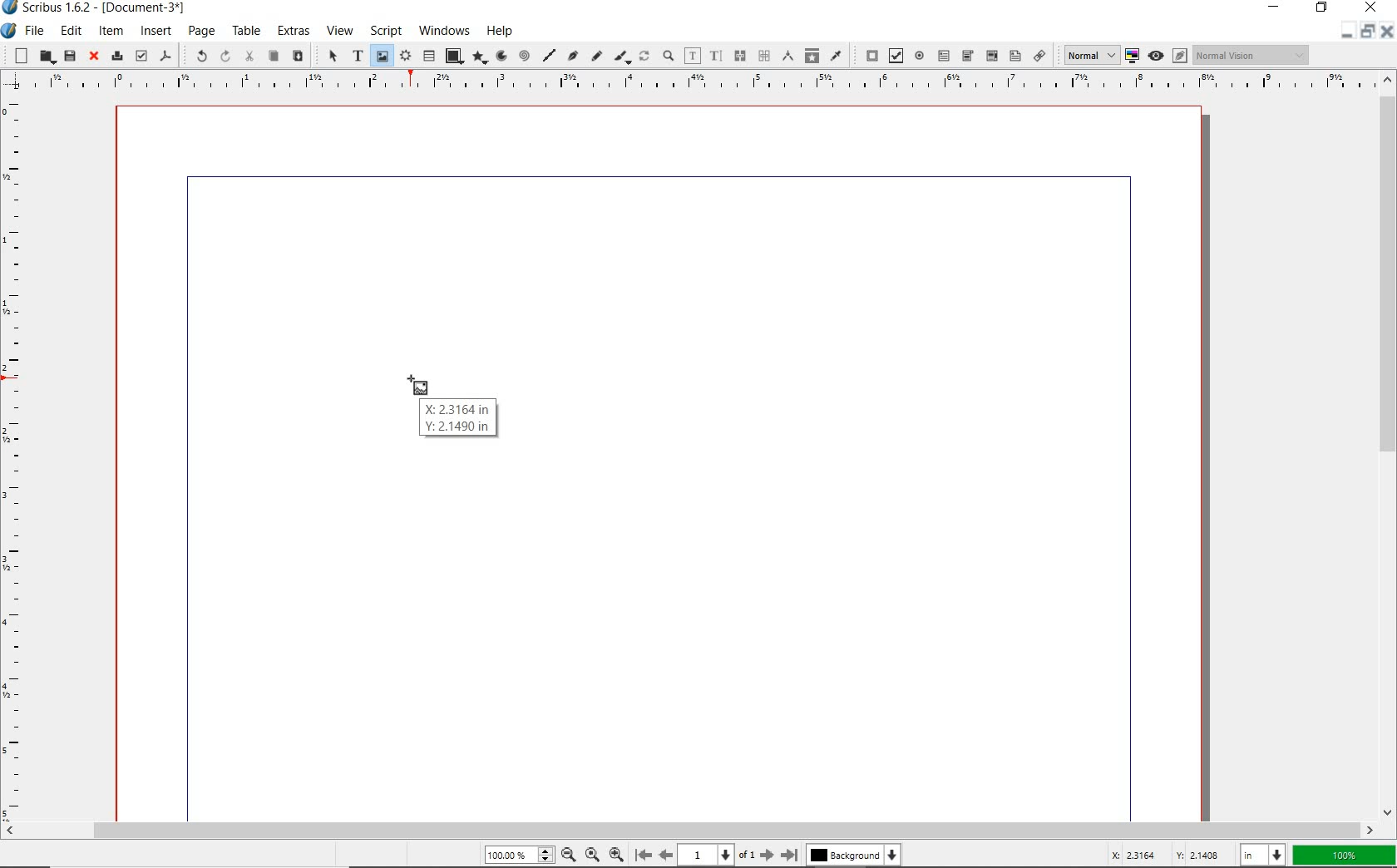 This screenshot has height=868, width=1397. Describe the element at coordinates (759, 57) in the screenshot. I see `unlink text frames` at that location.